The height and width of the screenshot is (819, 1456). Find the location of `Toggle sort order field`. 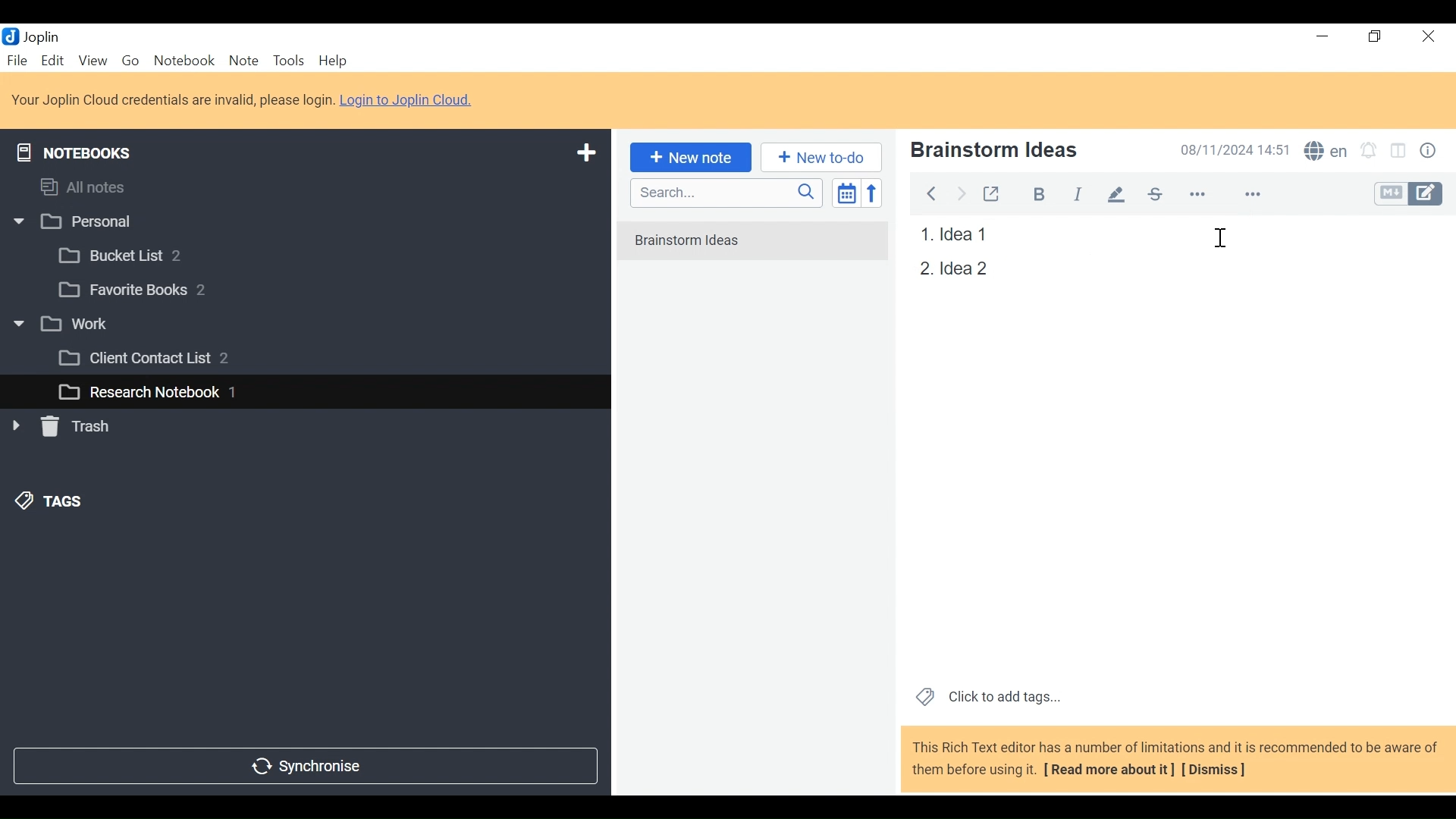

Toggle sort order field is located at coordinates (845, 192).